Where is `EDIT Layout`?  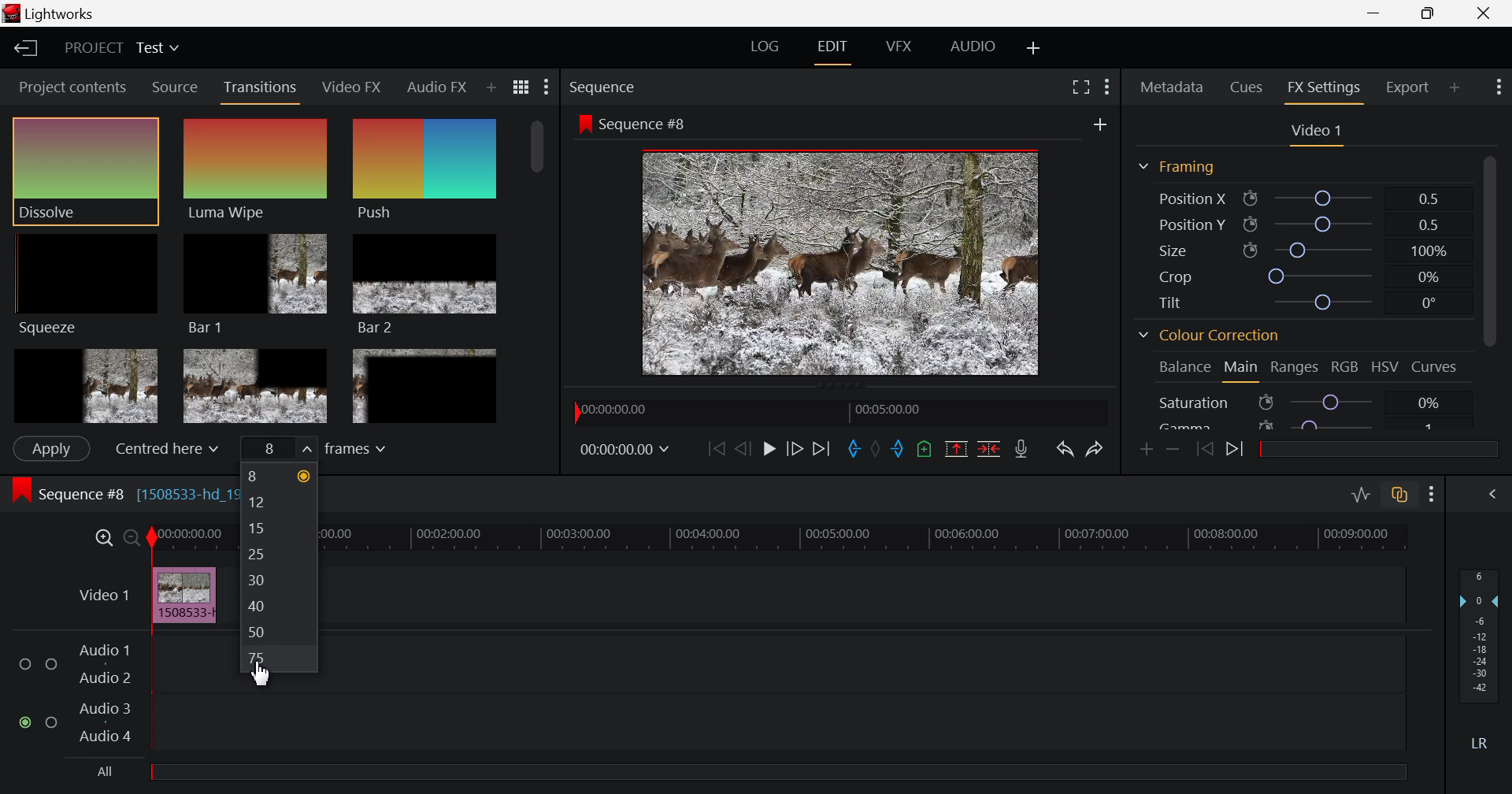 EDIT Layout is located at coordinates (833, 50).